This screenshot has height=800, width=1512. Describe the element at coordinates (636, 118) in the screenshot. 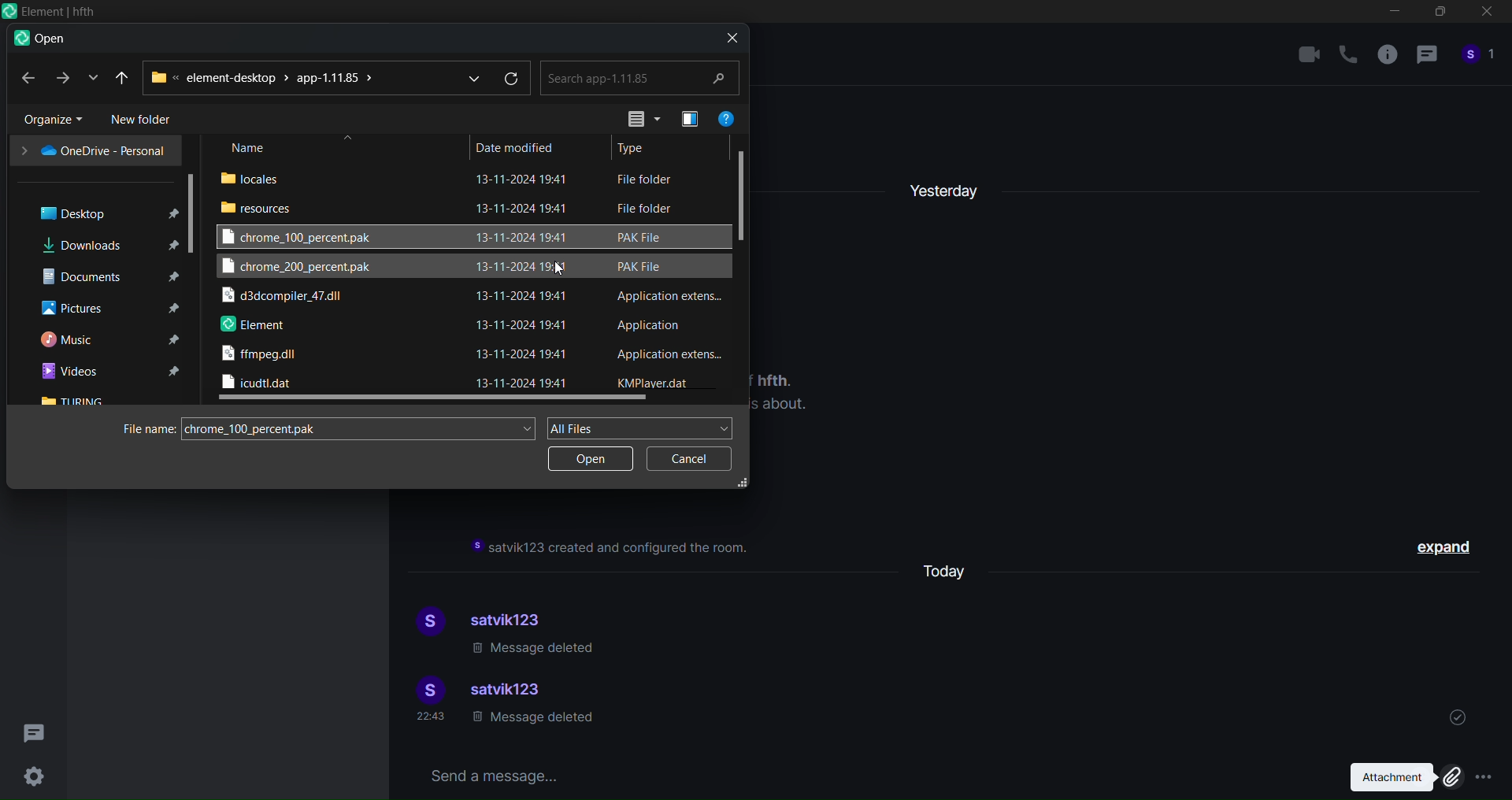

I see `view` at that location.